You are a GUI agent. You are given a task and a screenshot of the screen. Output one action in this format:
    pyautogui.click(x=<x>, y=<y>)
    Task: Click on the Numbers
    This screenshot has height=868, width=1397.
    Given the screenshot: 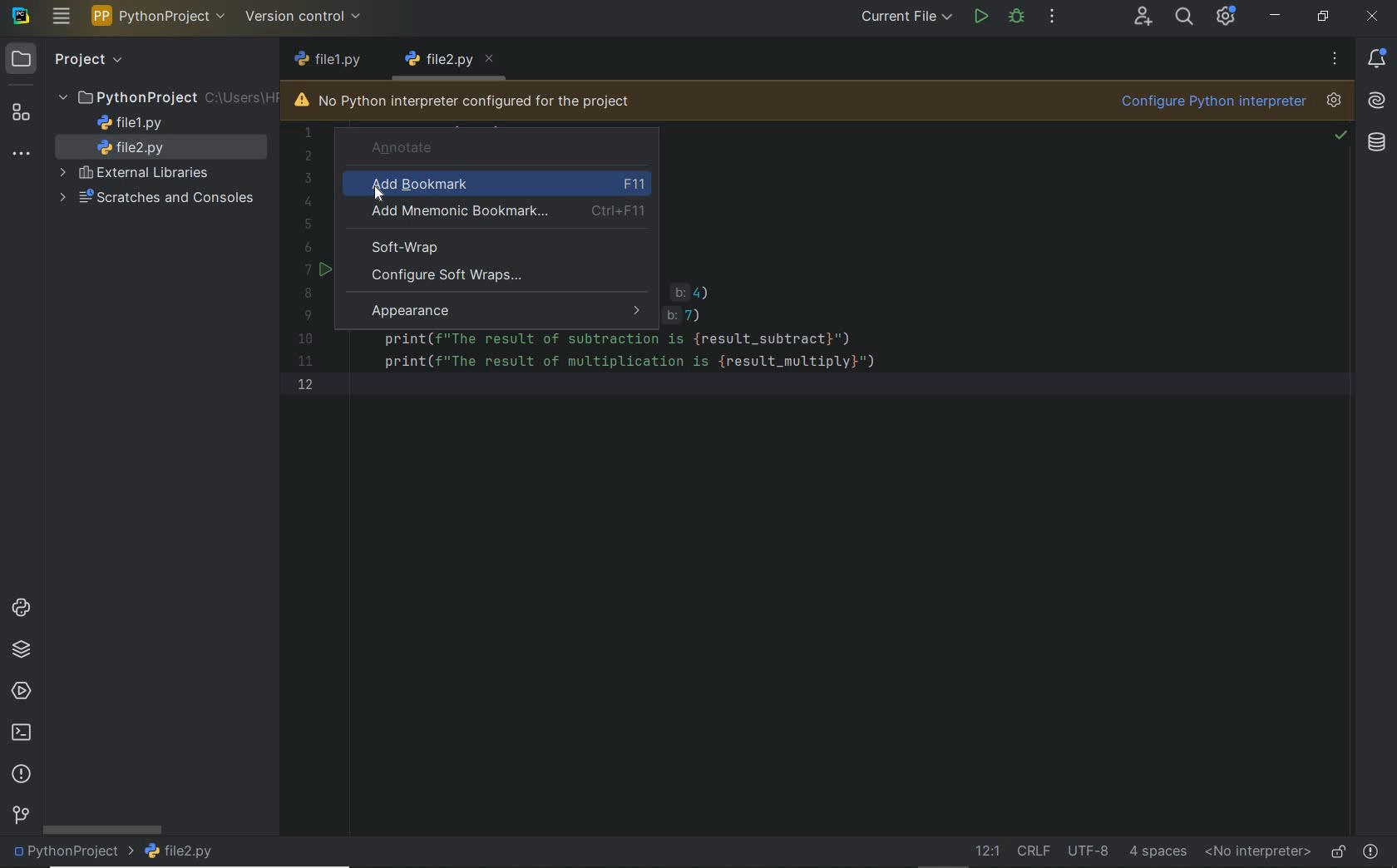 What is the action you would take?
    pyautogui.click(x=307, y=259)
    